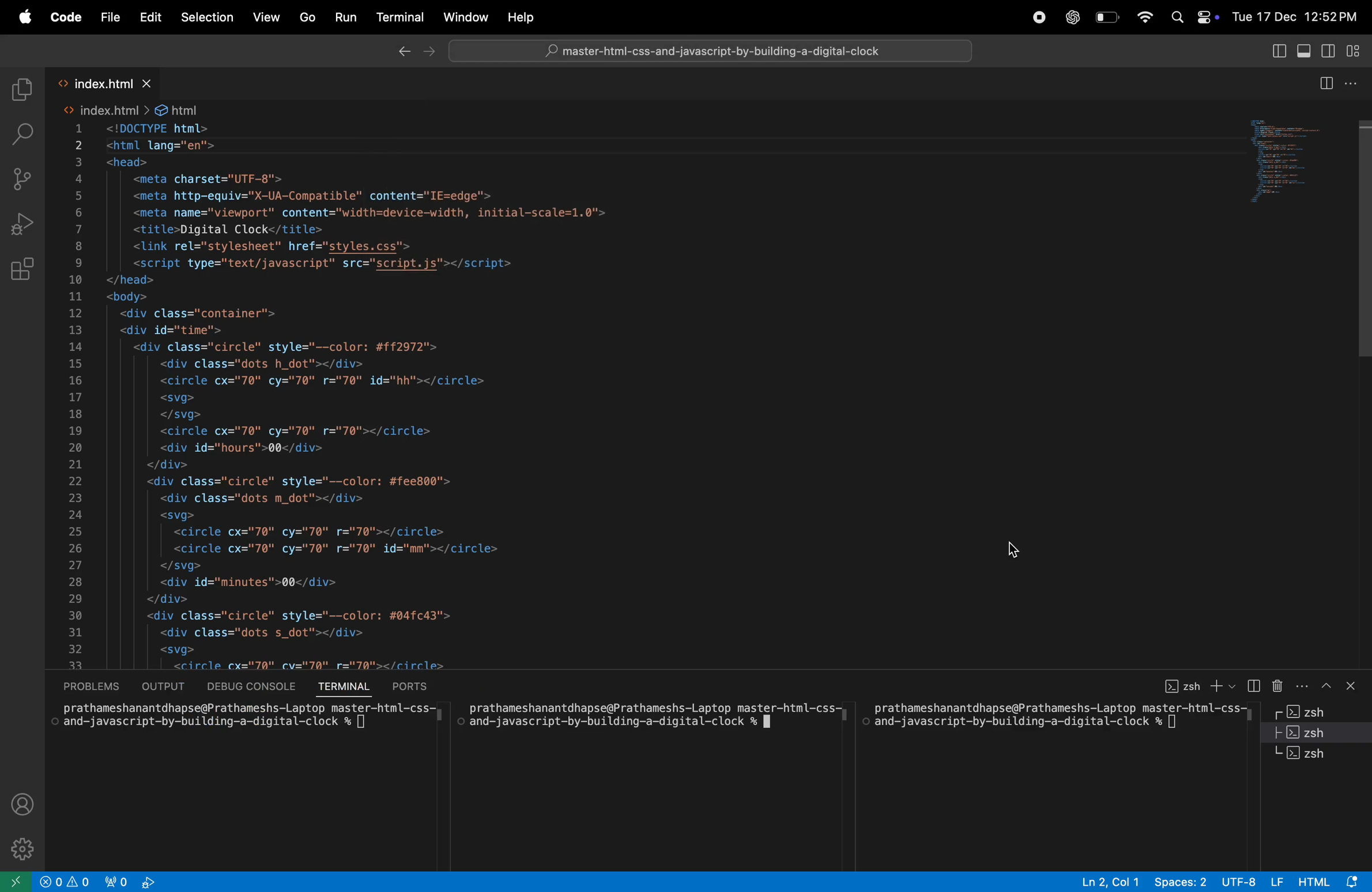 Image resolution: width=1372 pixels, height=892 pixels. Describe the element at coordinates (1354, 51) in the screenshot. I see `view` at that location.